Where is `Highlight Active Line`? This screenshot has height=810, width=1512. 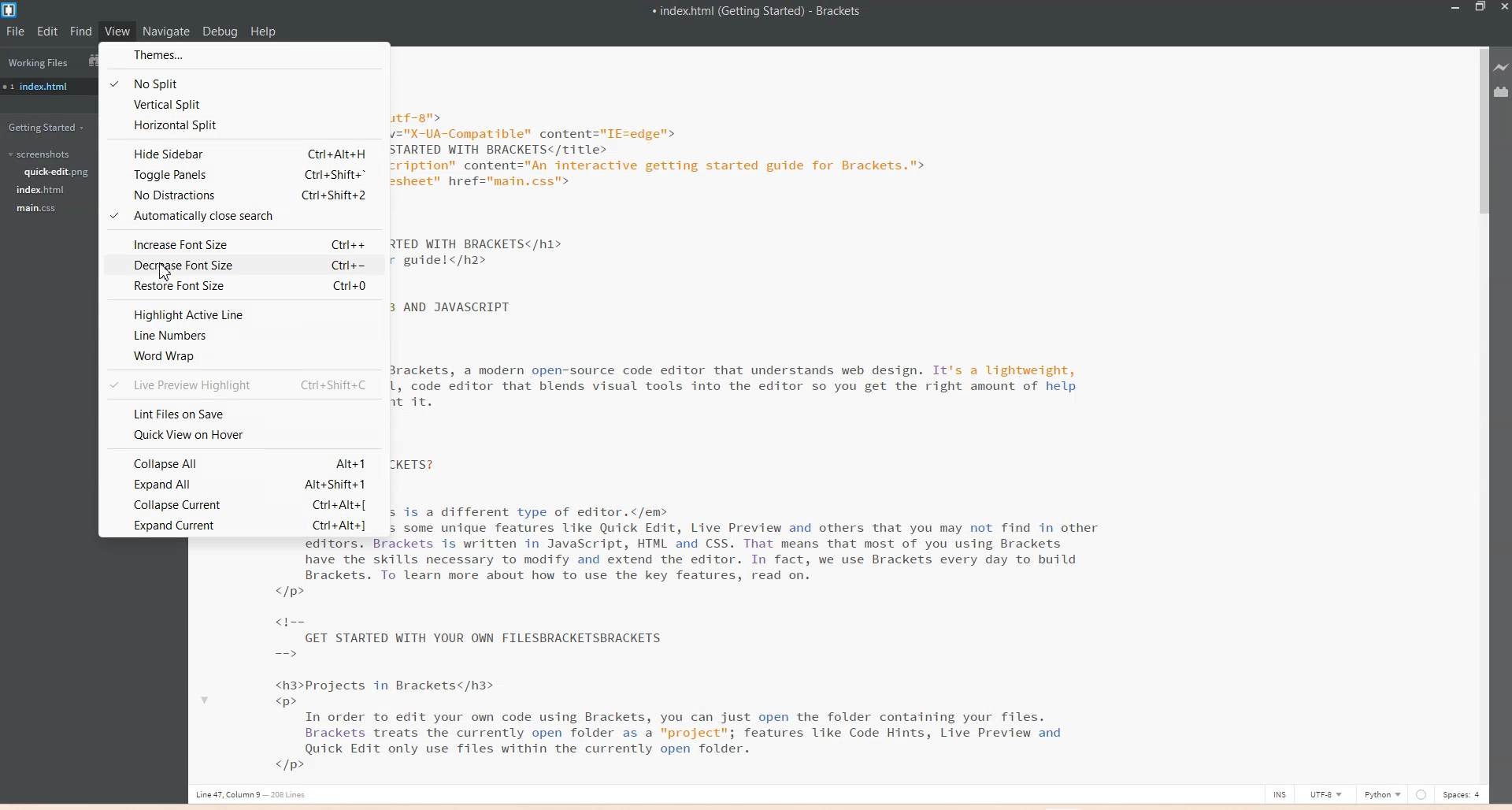
Highlight Active Line is located at coordinates (243, 314).